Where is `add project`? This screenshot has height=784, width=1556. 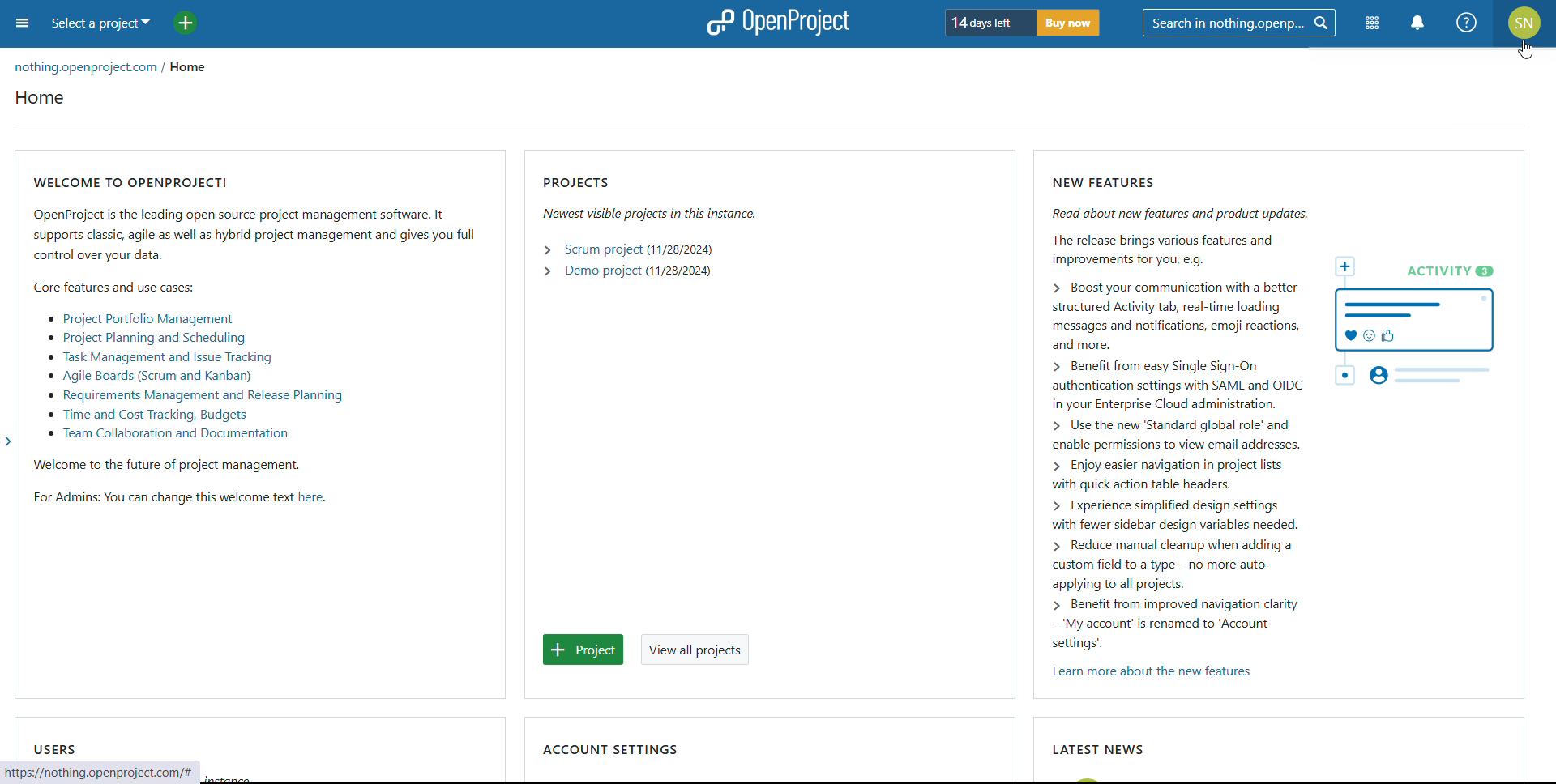
add project is located at coordinates (583, 650).